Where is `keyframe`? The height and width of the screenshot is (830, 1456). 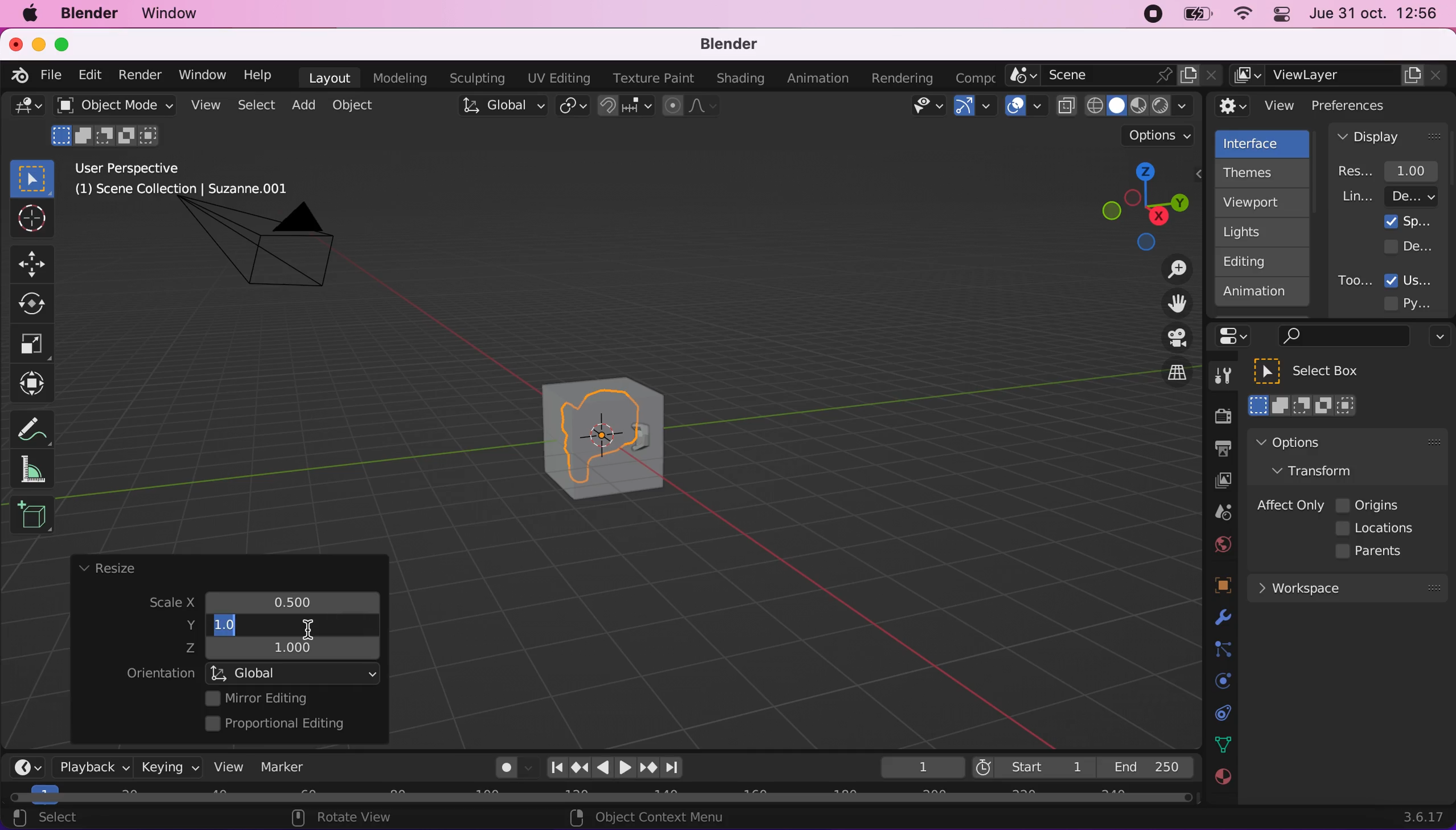 keyframe is located at coordinates (921, 768).